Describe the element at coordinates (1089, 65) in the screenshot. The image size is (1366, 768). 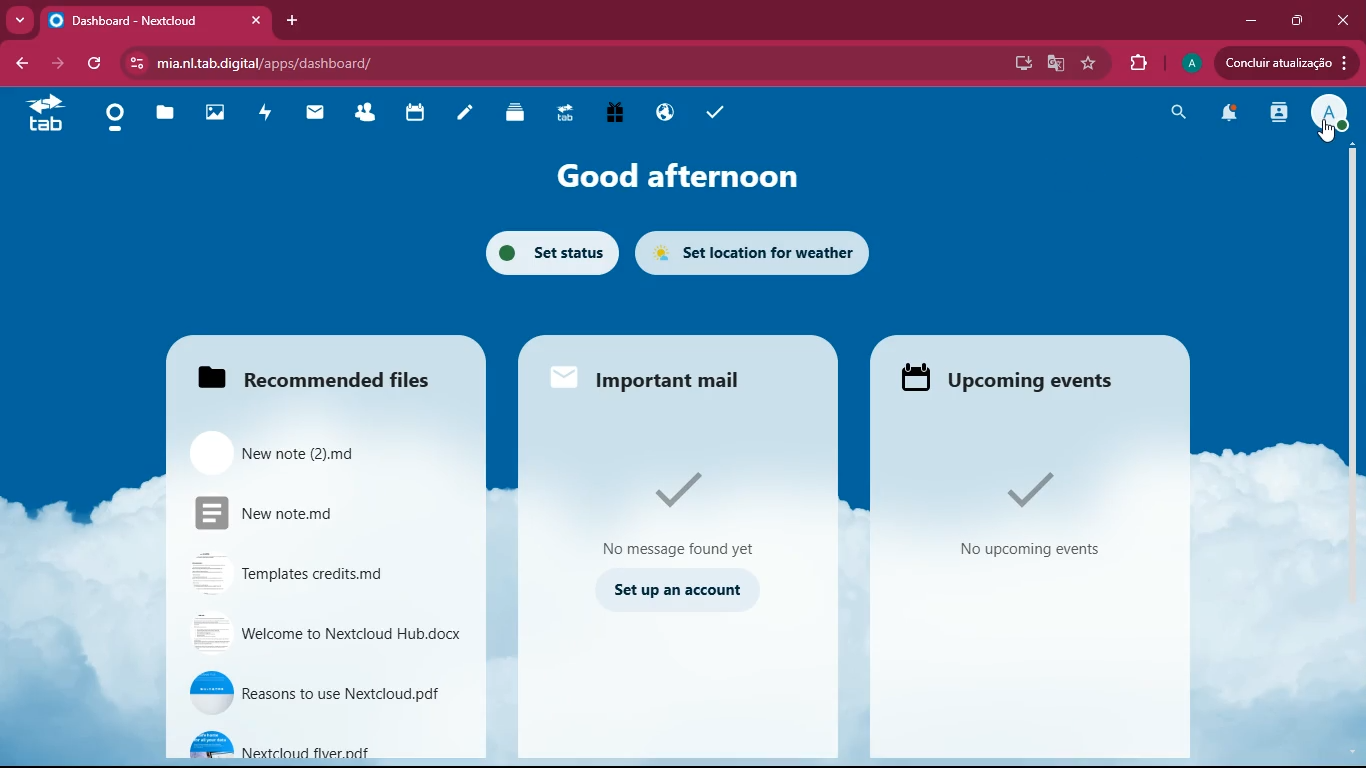
I see `favorite` at that location.